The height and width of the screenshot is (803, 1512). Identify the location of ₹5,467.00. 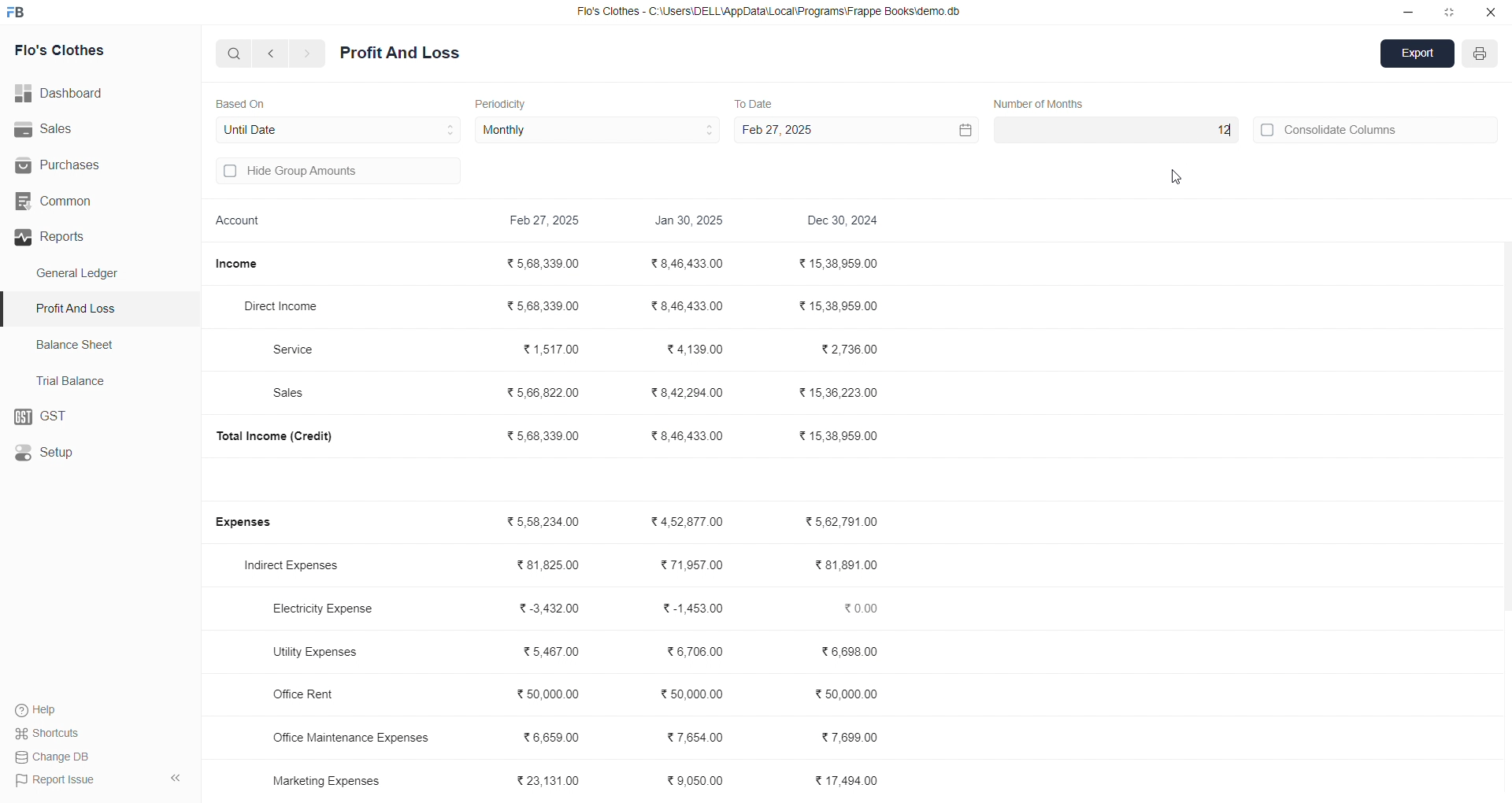
(551, 651).